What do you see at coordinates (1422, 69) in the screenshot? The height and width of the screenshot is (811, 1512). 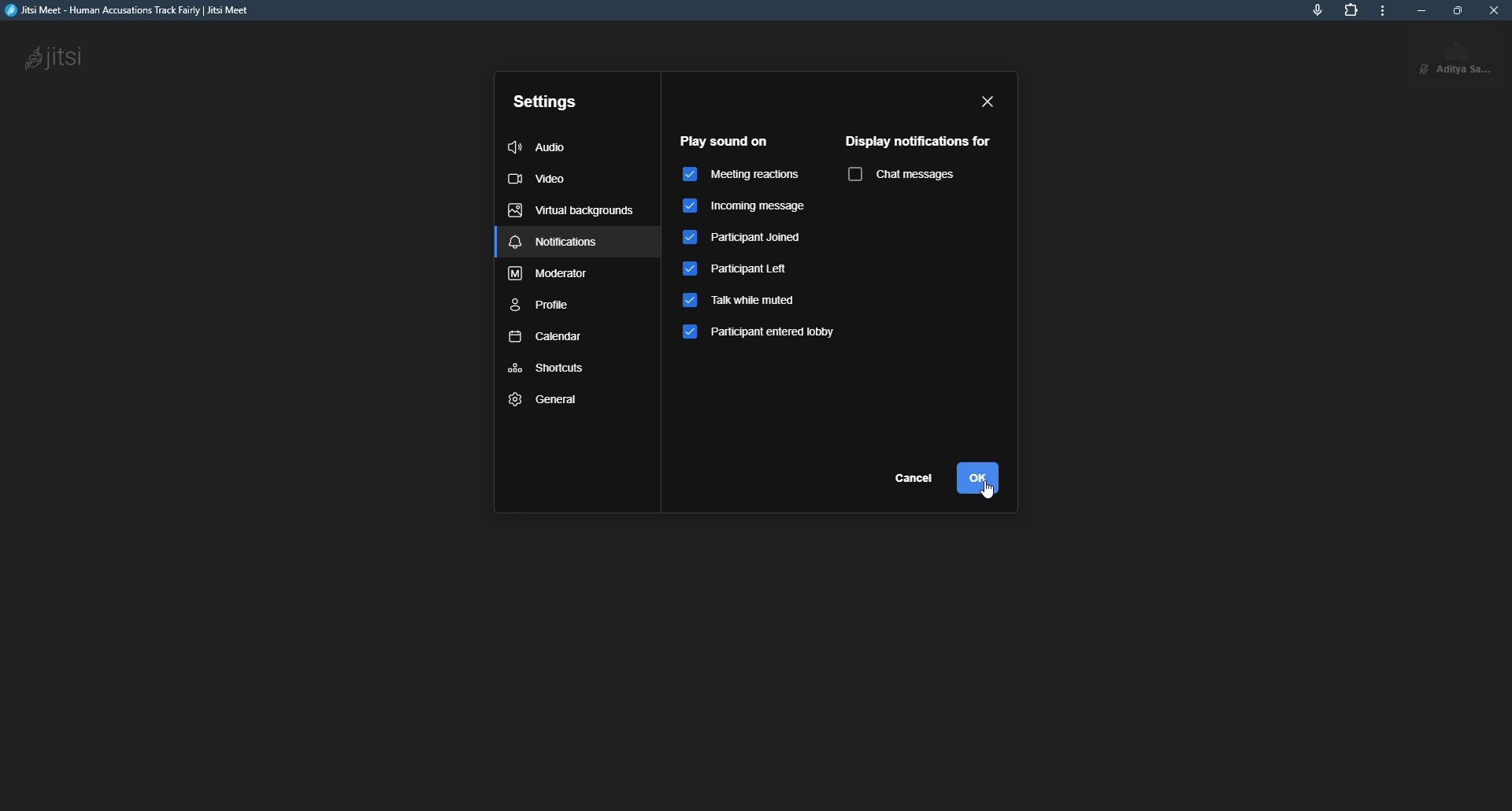 I see `unmute` at bounding box center [1422, 69].